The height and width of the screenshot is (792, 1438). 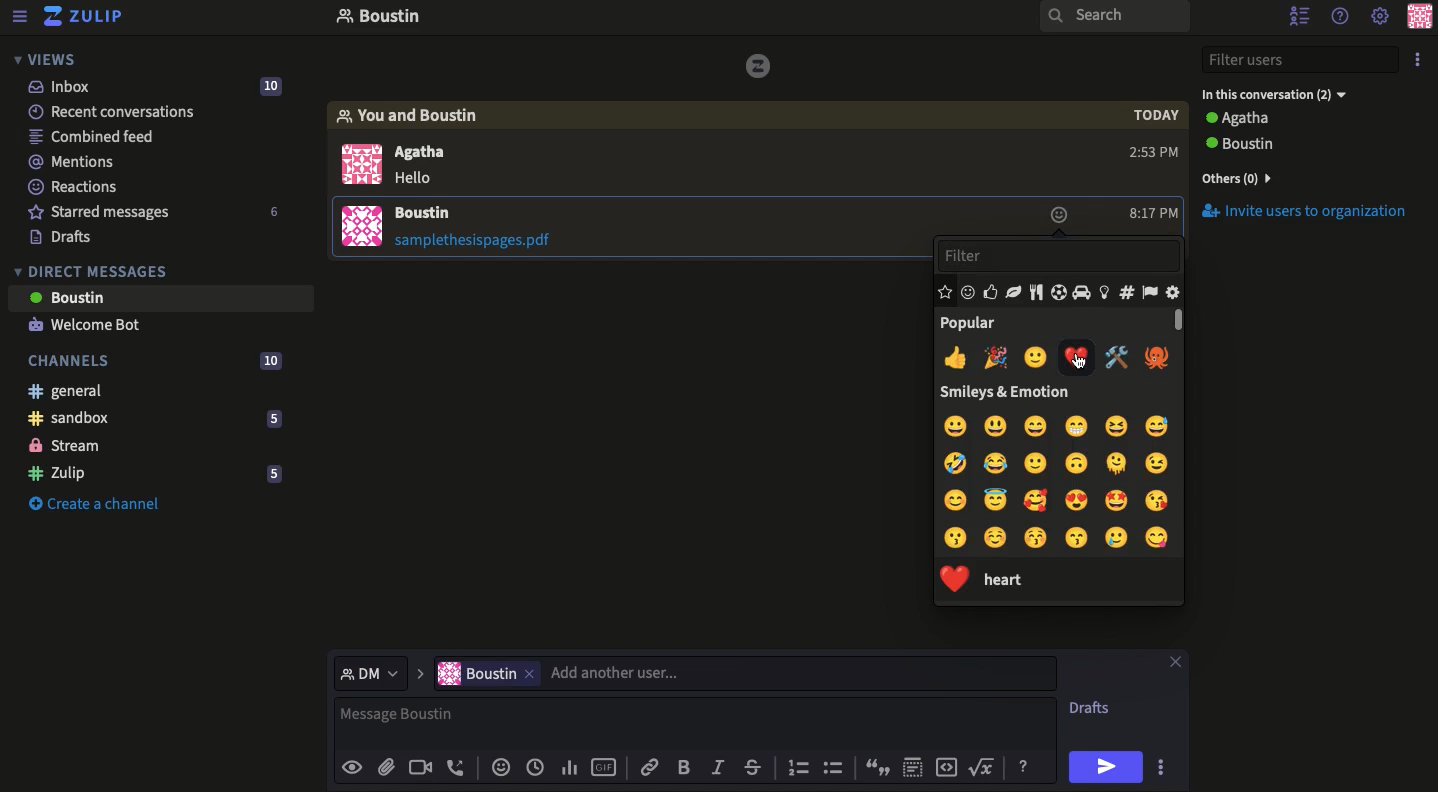 What do you see at coordinates (363, 228) in the screenshot?
I see `image` at bounding box center [363, 228].